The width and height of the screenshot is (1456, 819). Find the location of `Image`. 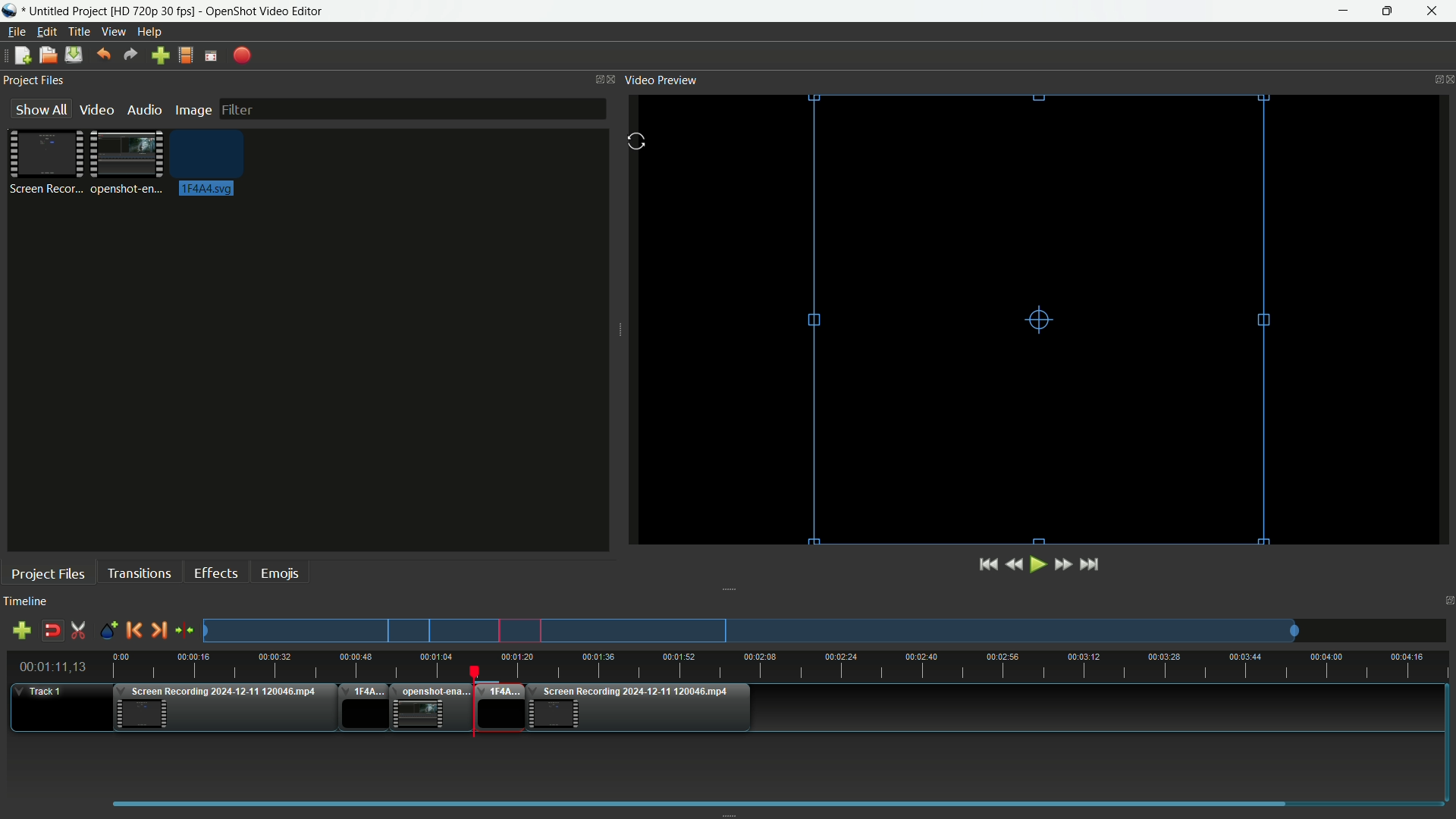

Image is located at coordinates (193, 111).